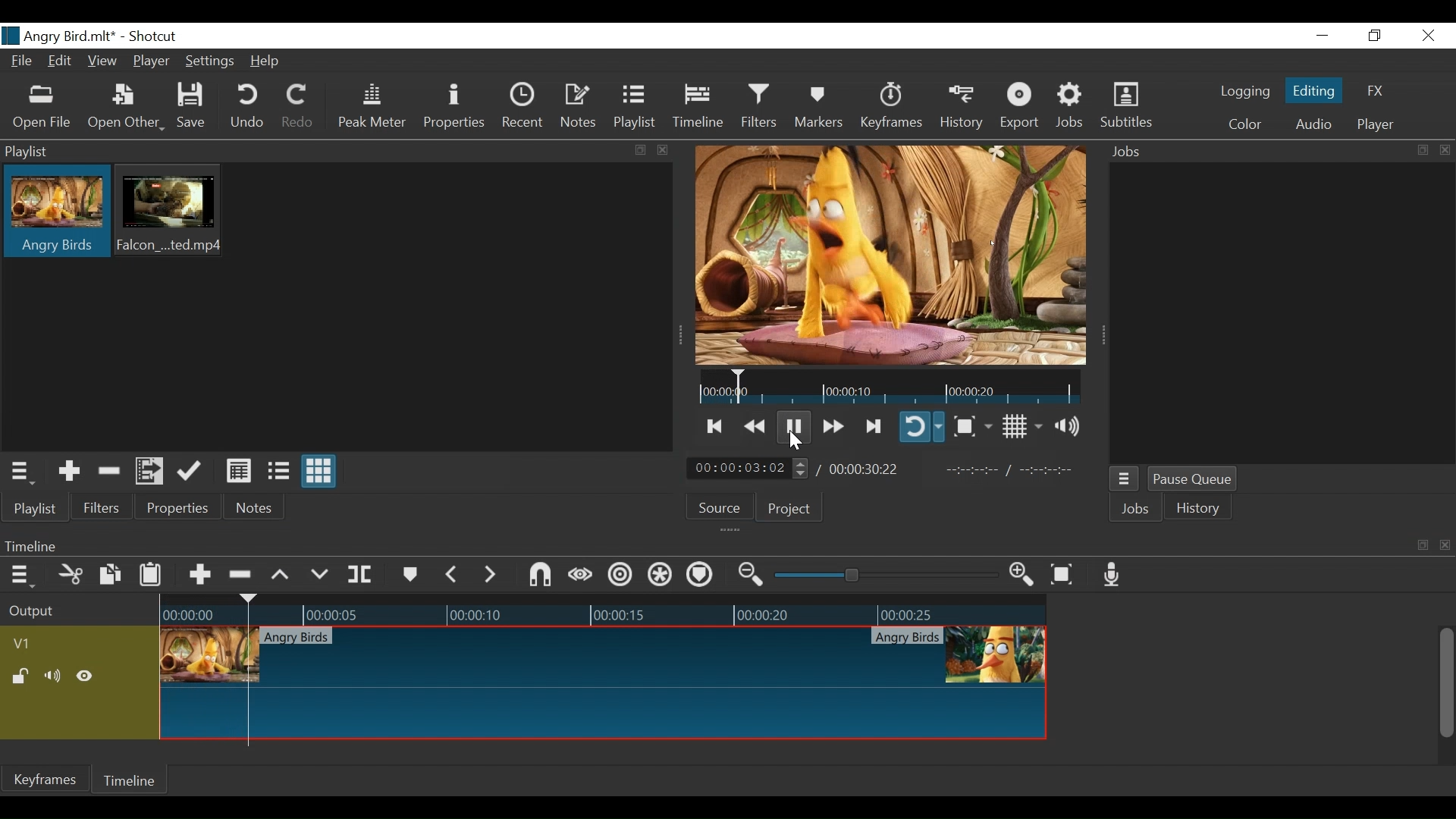  I want to click on Playlist, so click(638, 108).